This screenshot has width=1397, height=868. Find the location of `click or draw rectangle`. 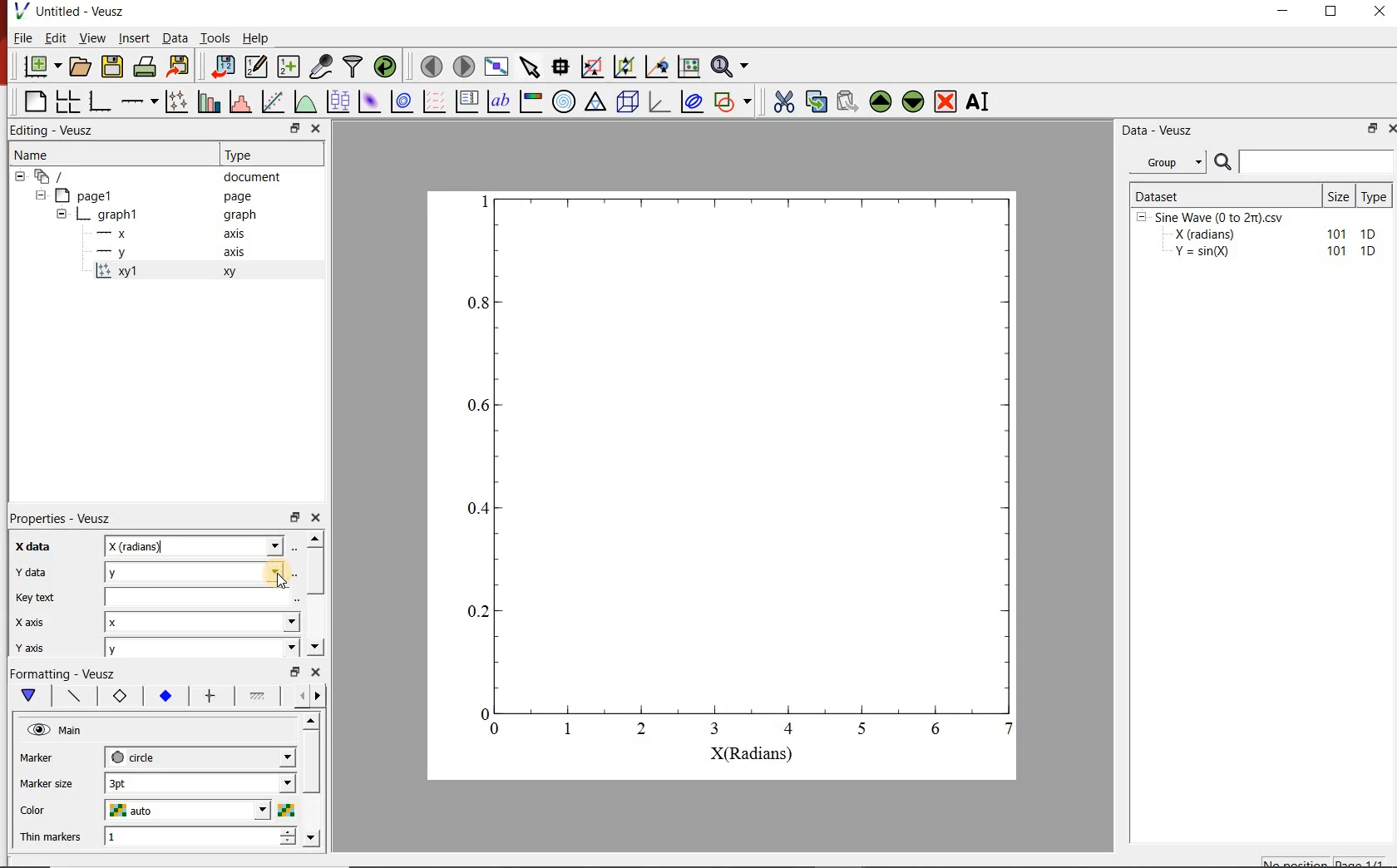

click or draw rectangle is located at coordinates (592, 65).